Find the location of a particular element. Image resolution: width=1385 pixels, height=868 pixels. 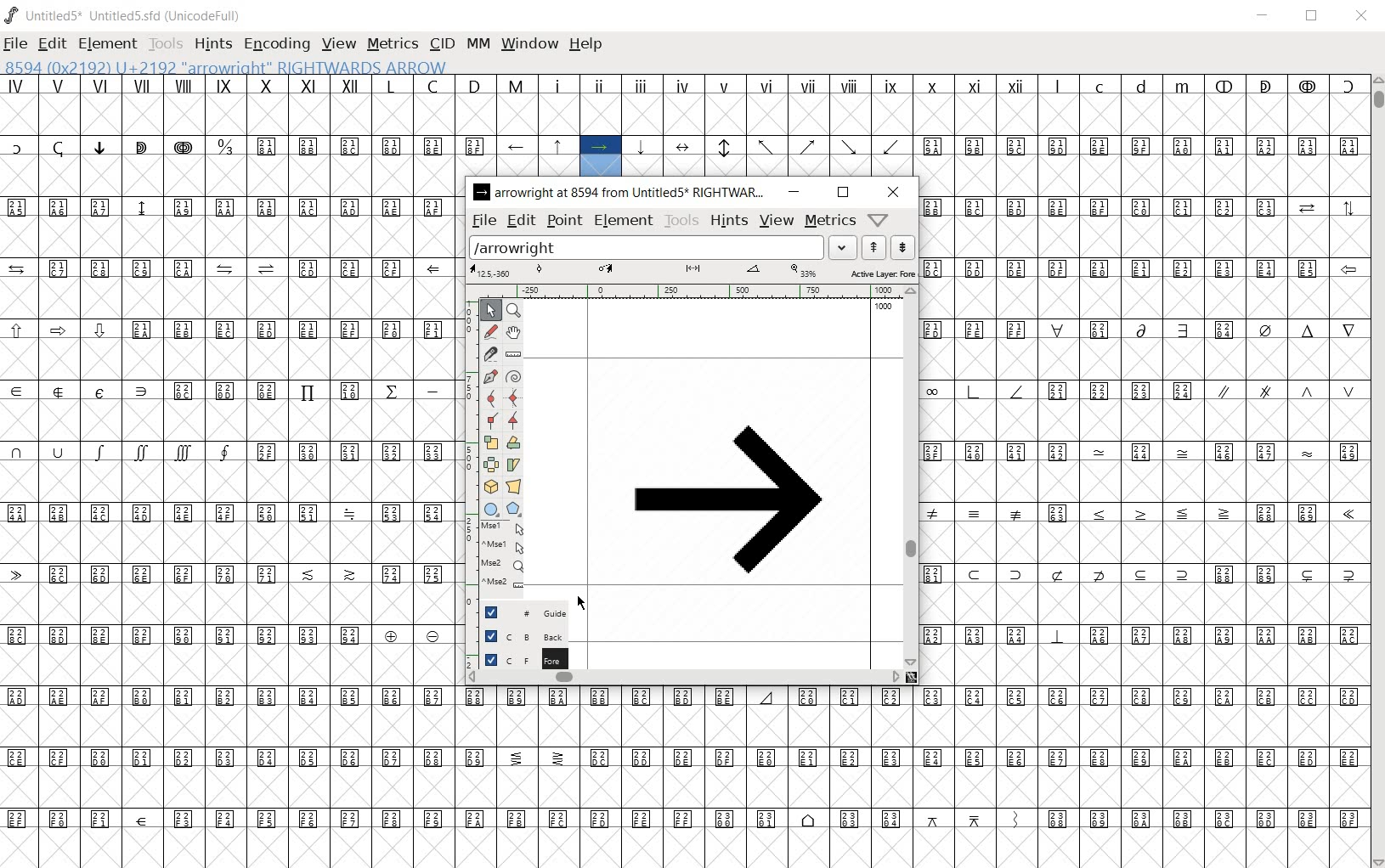

draw a freehand curve is located at coordinates (490, 331).